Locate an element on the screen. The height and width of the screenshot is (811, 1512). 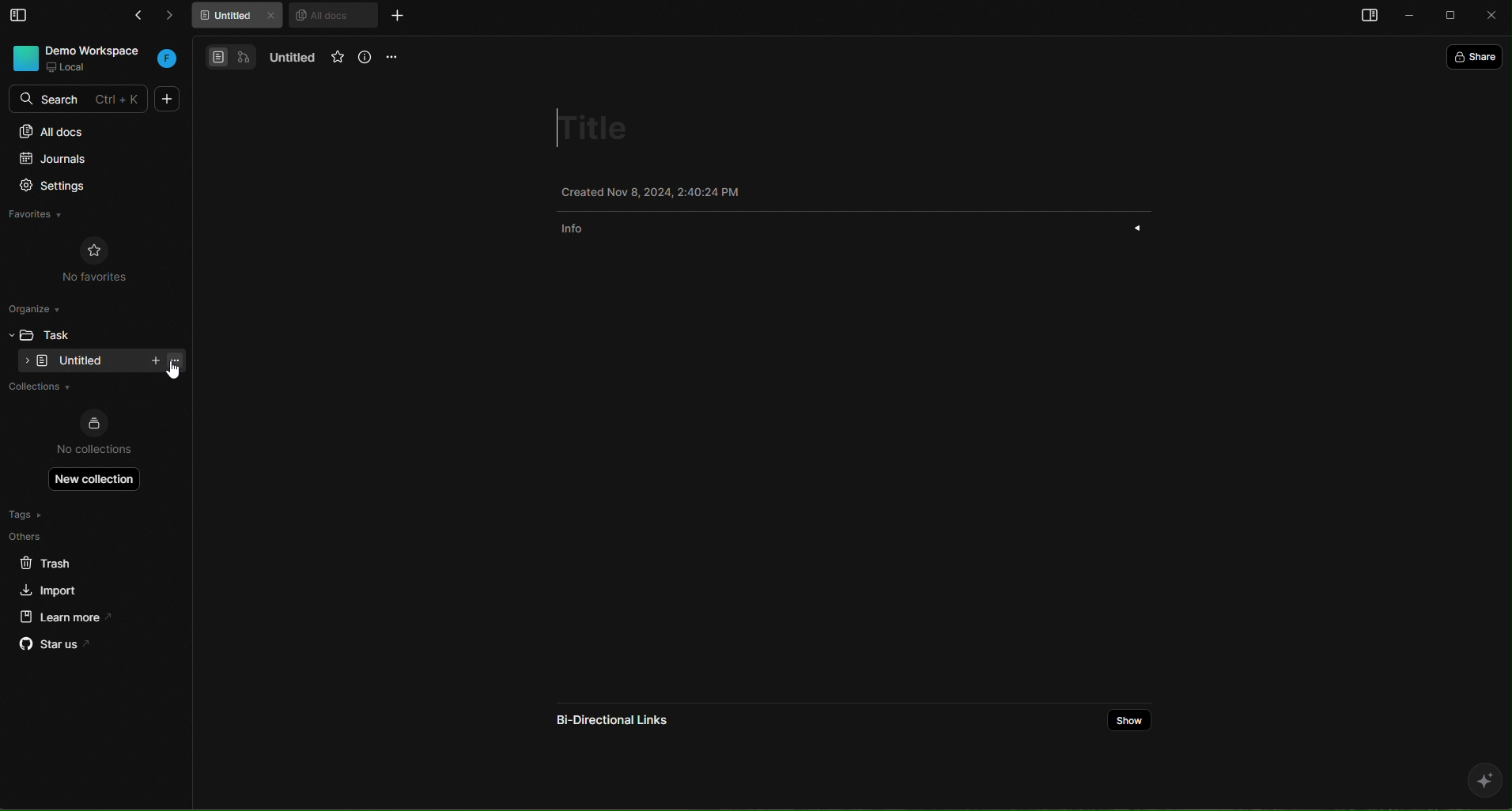
tags is located at coordinates (58, 515).